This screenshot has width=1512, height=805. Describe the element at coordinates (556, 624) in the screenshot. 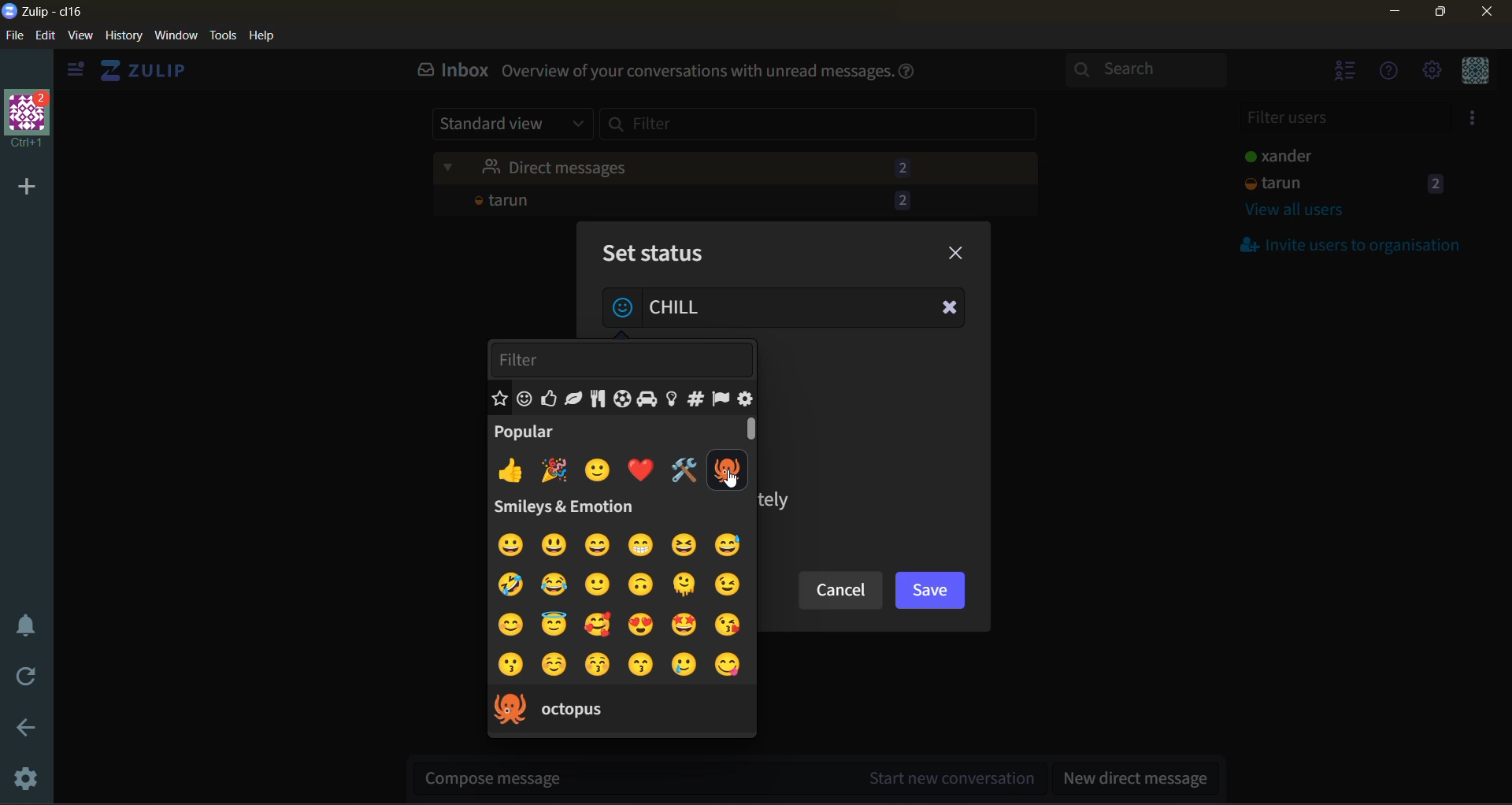

I see `emoji` at that location.